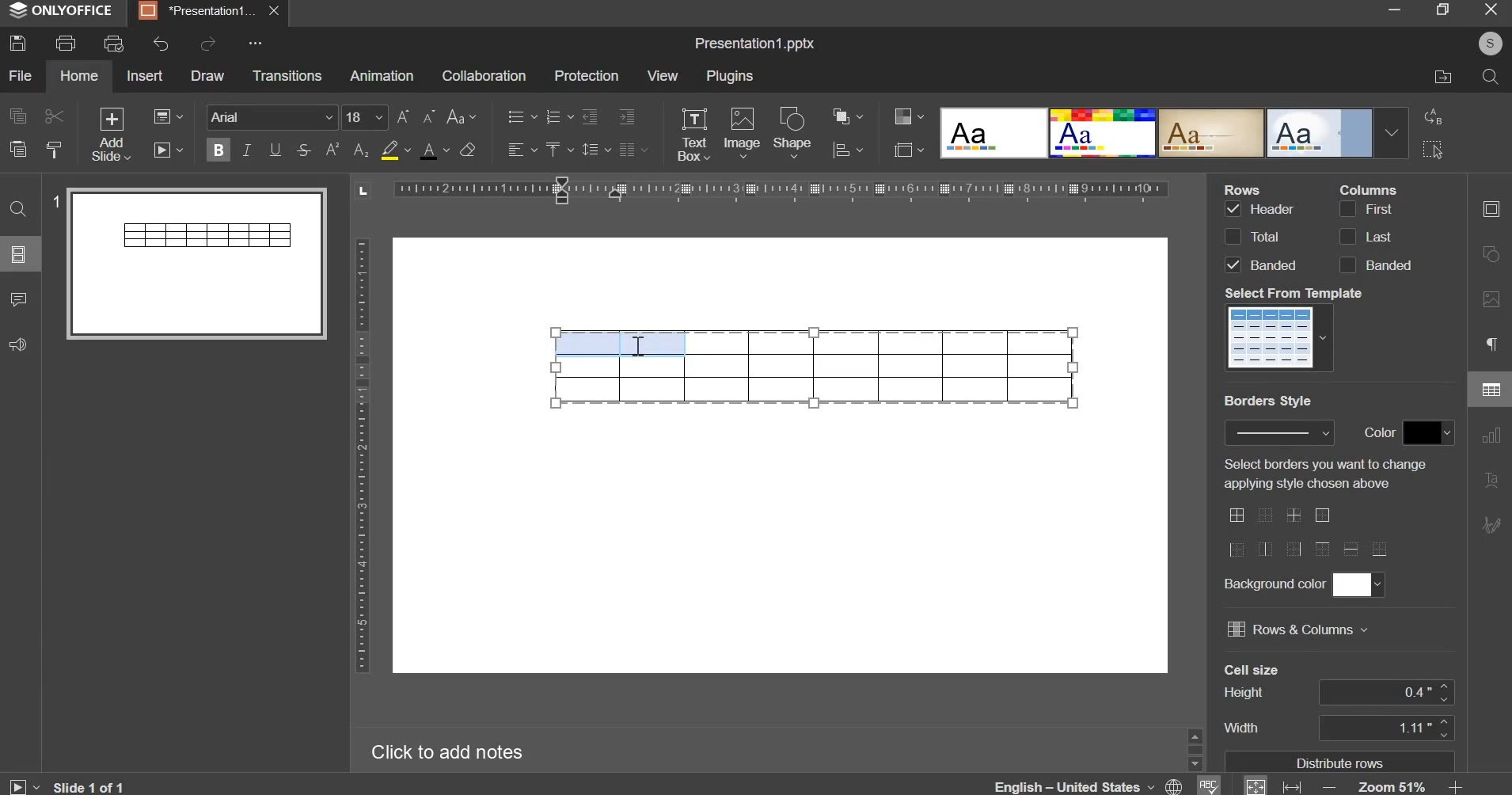 This screenshot has width=1512, height=795. I want to click on copy style, so click(56, 150).